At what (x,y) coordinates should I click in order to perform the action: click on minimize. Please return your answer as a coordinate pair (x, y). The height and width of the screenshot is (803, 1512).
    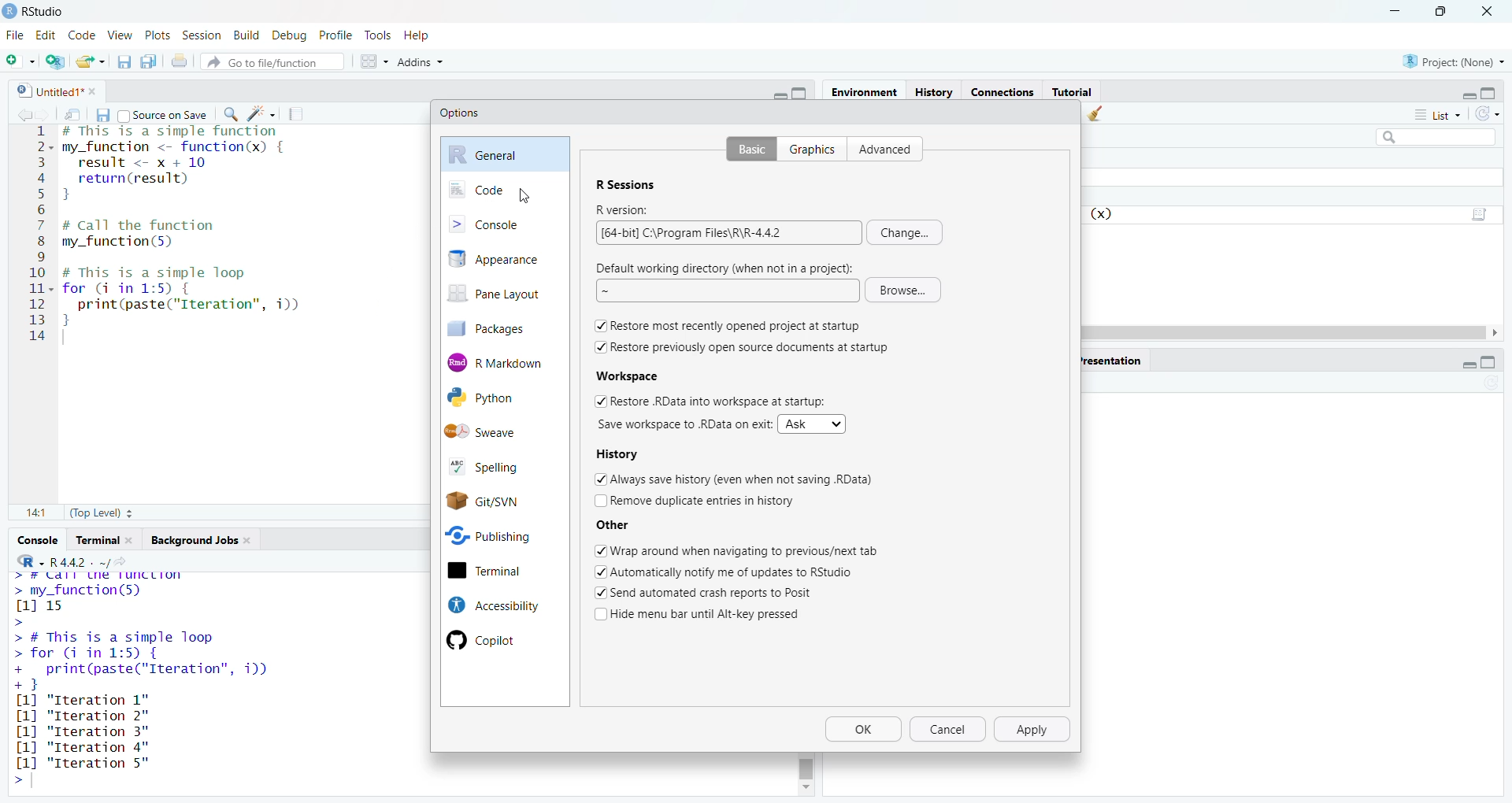
    Looking at the image, I should click on (1462, 364).